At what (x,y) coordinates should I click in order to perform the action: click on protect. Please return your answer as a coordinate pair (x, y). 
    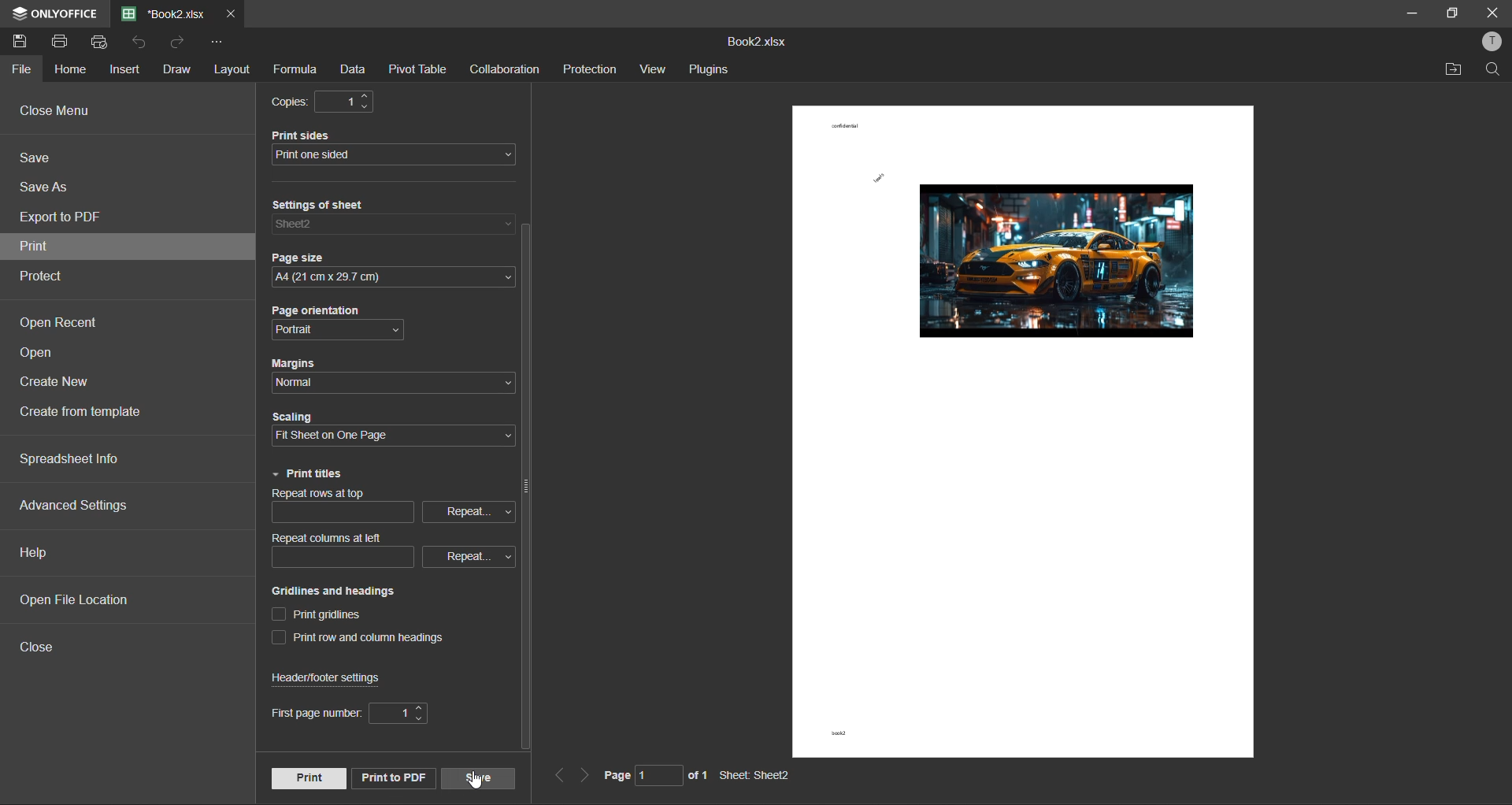
    Looking at the image, I should click on (46, 277).